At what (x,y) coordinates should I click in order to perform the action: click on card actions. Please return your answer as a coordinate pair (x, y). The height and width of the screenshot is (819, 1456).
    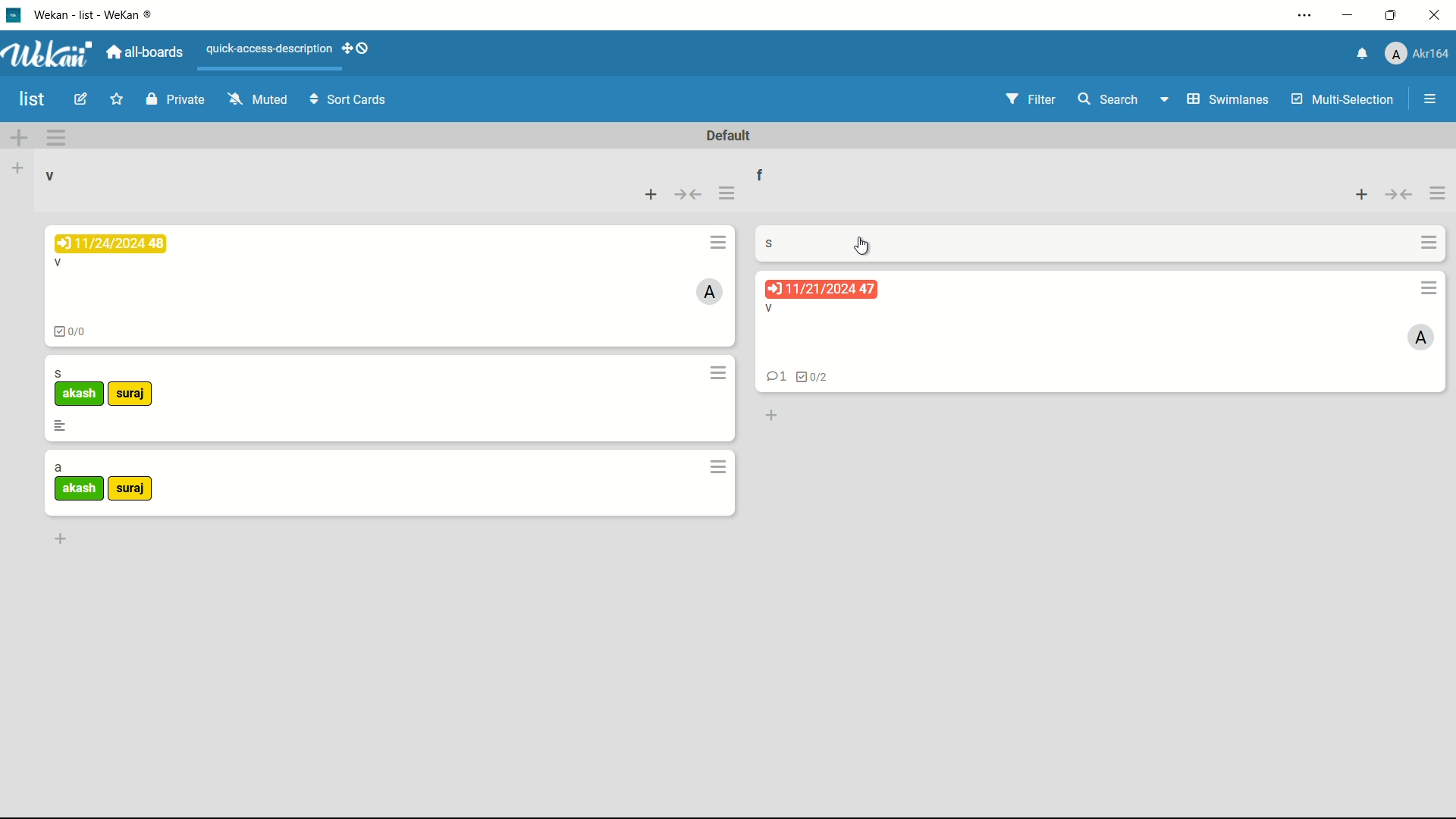
    Looking at the image, I should click on (1426, 243).